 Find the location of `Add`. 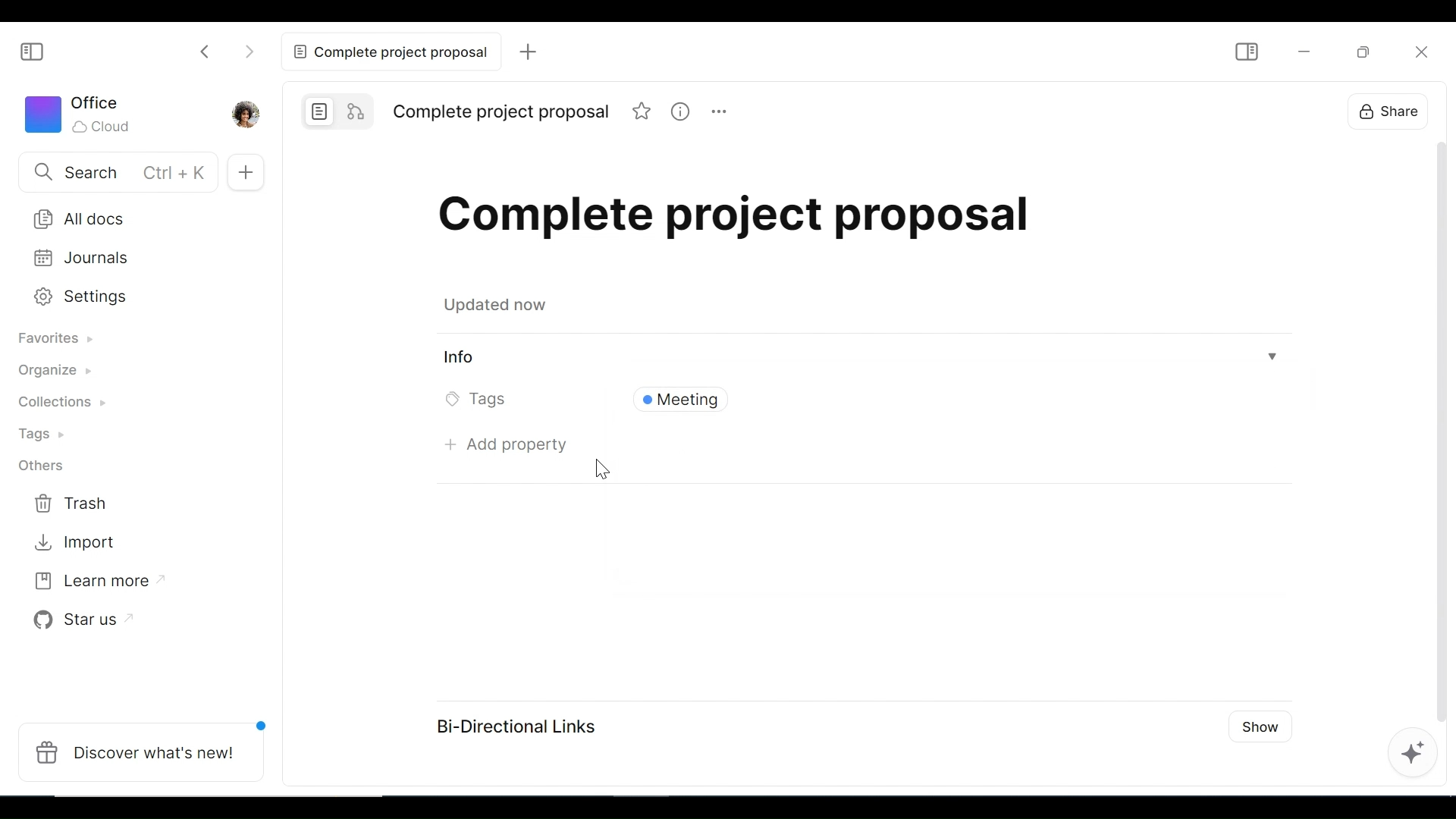

Add is located at coordinates (529, 52).